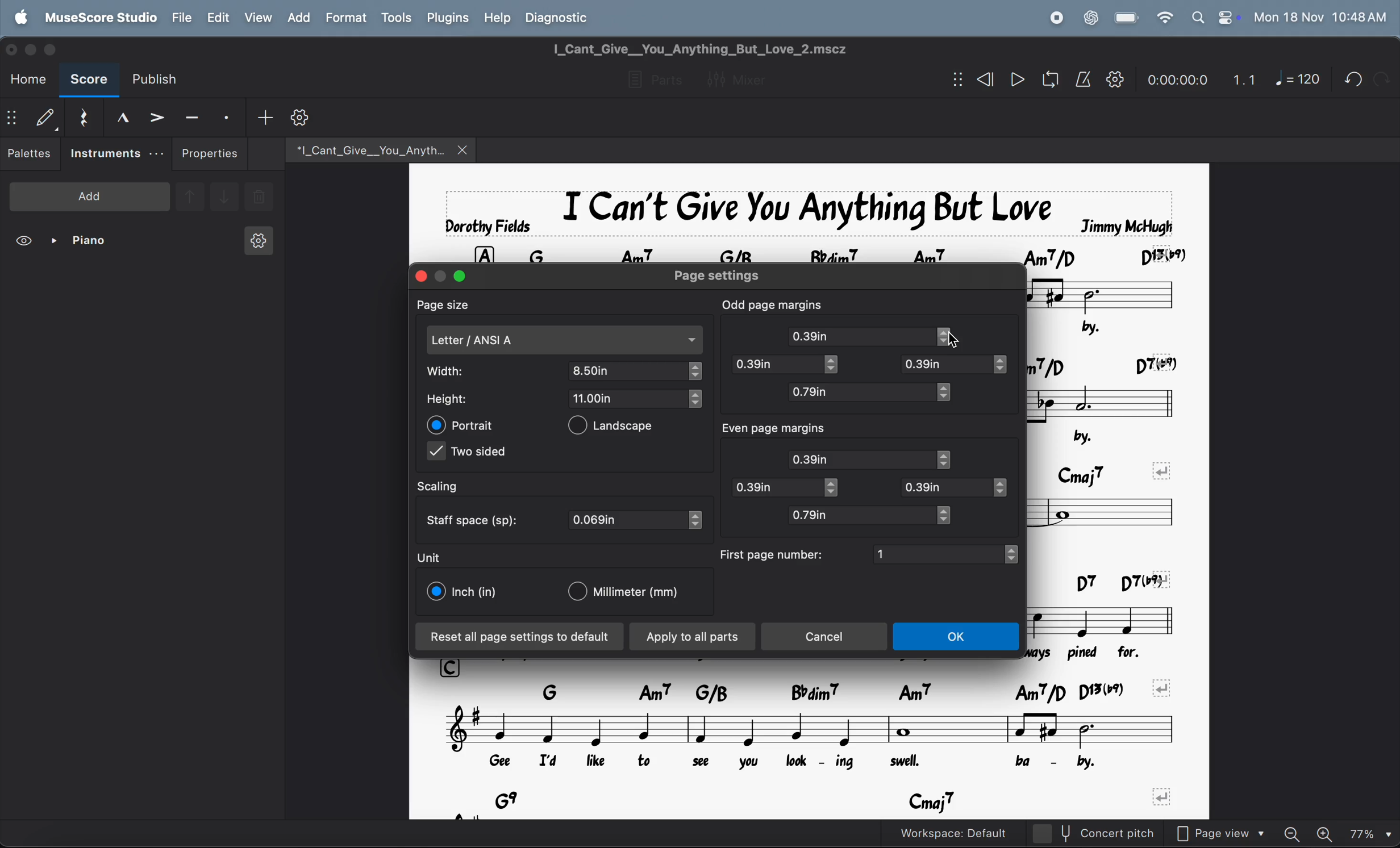 This screenshot has width=1400, height=848. What do you see at coordinates (1016, 554) in the screenshot?
I see `toggle` at bounding box center [1016, 554].